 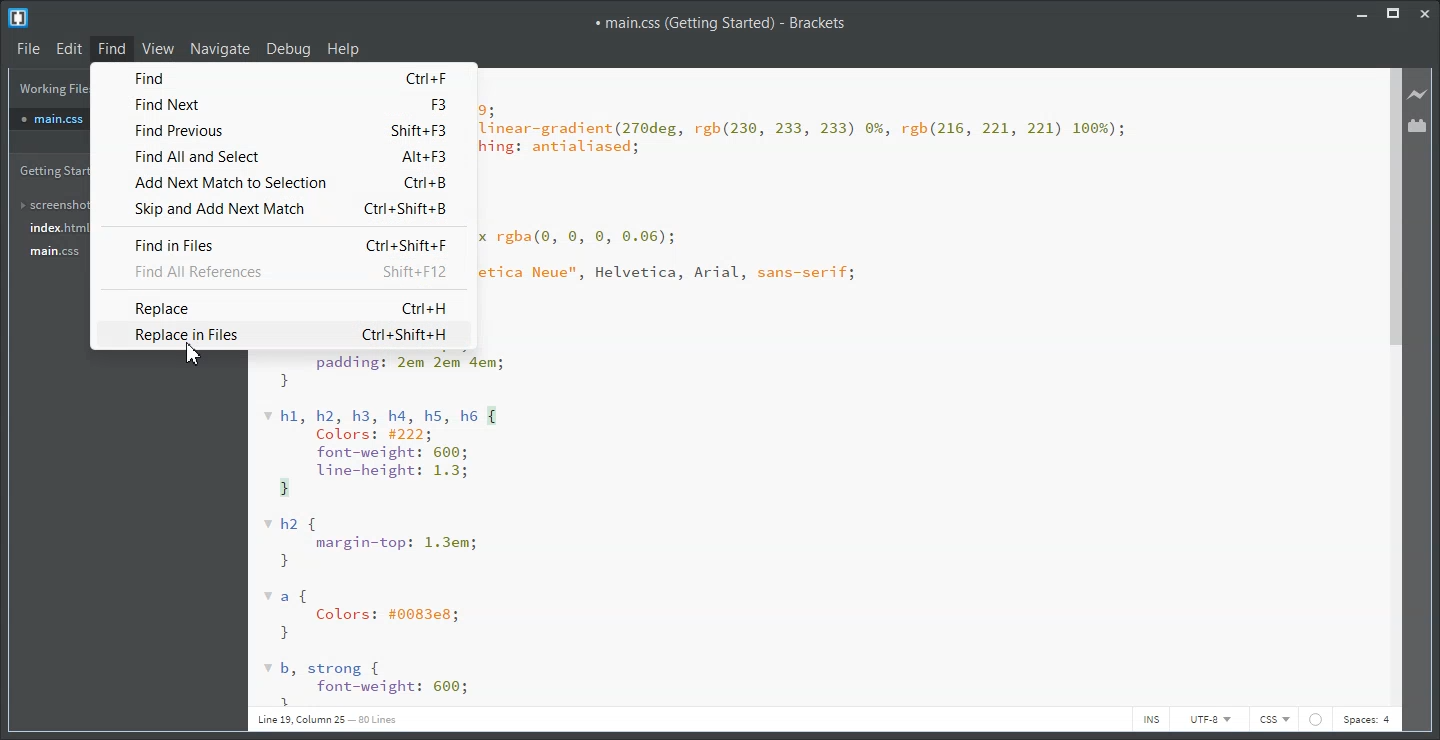 What do you see at coordinates (720, 22) in the screenshot?
I see `main.css (Getting Started) - Brackets` at bounding box center [720, 22].